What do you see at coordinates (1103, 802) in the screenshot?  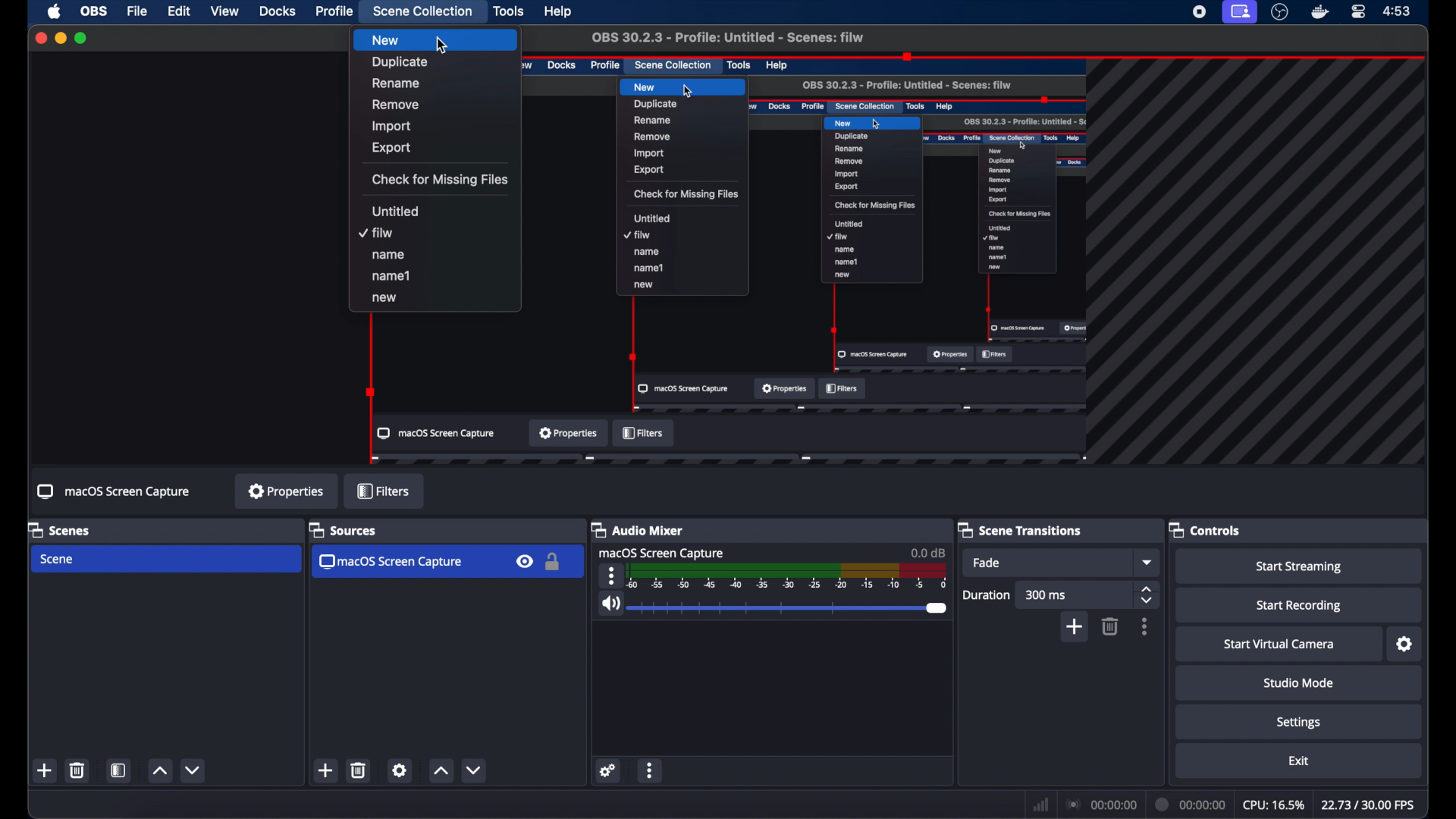 I see `connection` at bounding box center [1103, 802].